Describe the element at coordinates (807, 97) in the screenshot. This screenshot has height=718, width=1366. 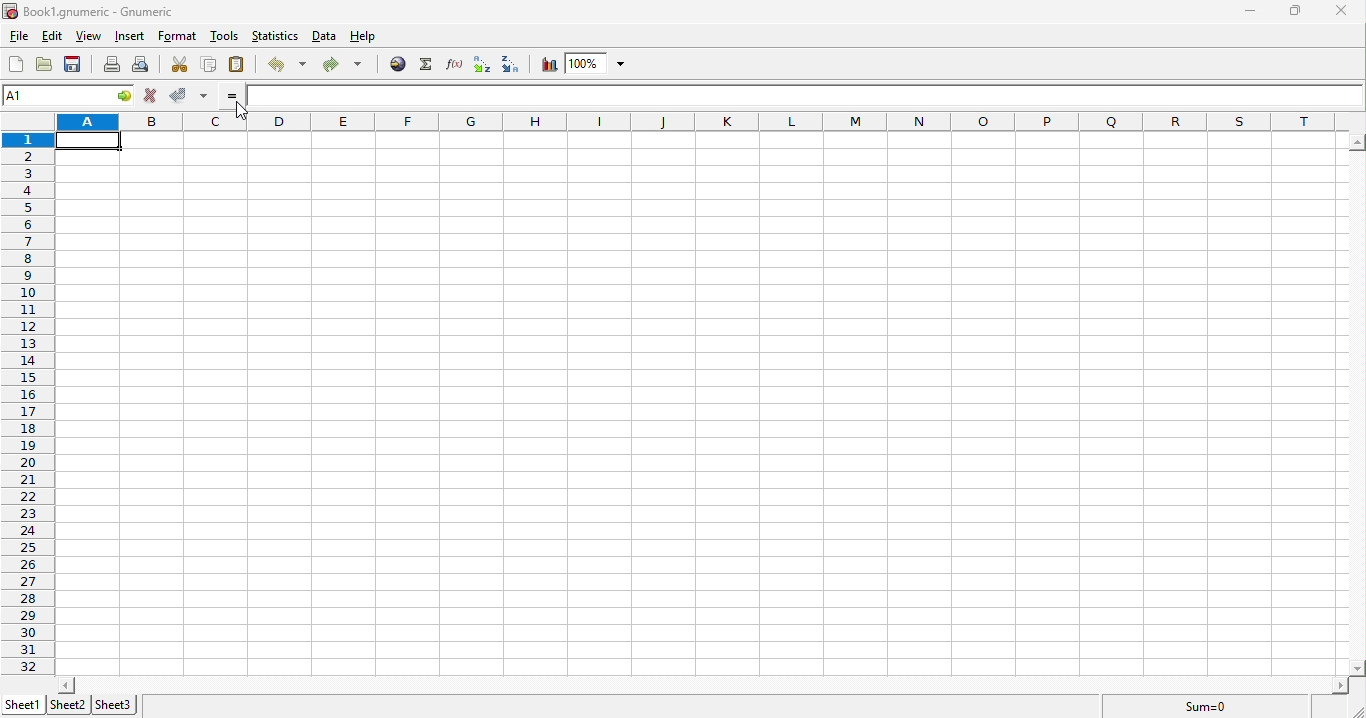
I see `formula bar` at that location.